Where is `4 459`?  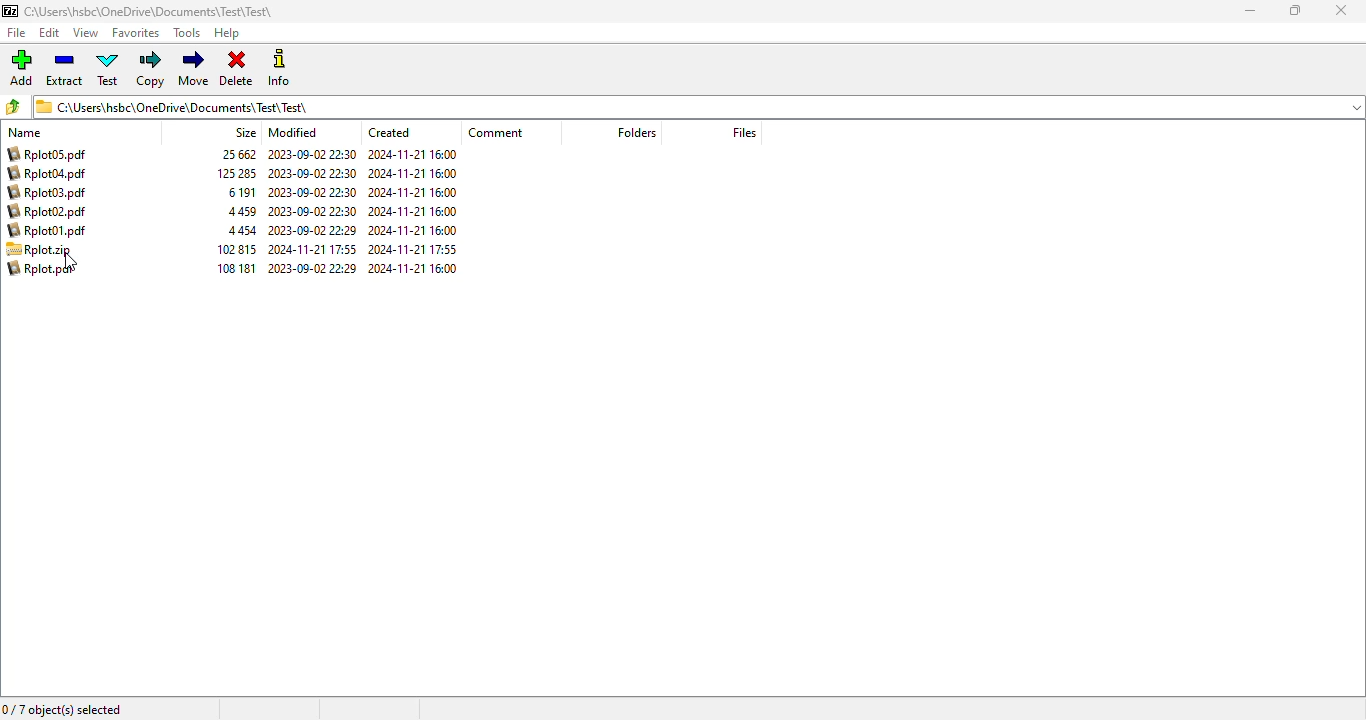
4 459 is located at coordinates (242, 211).